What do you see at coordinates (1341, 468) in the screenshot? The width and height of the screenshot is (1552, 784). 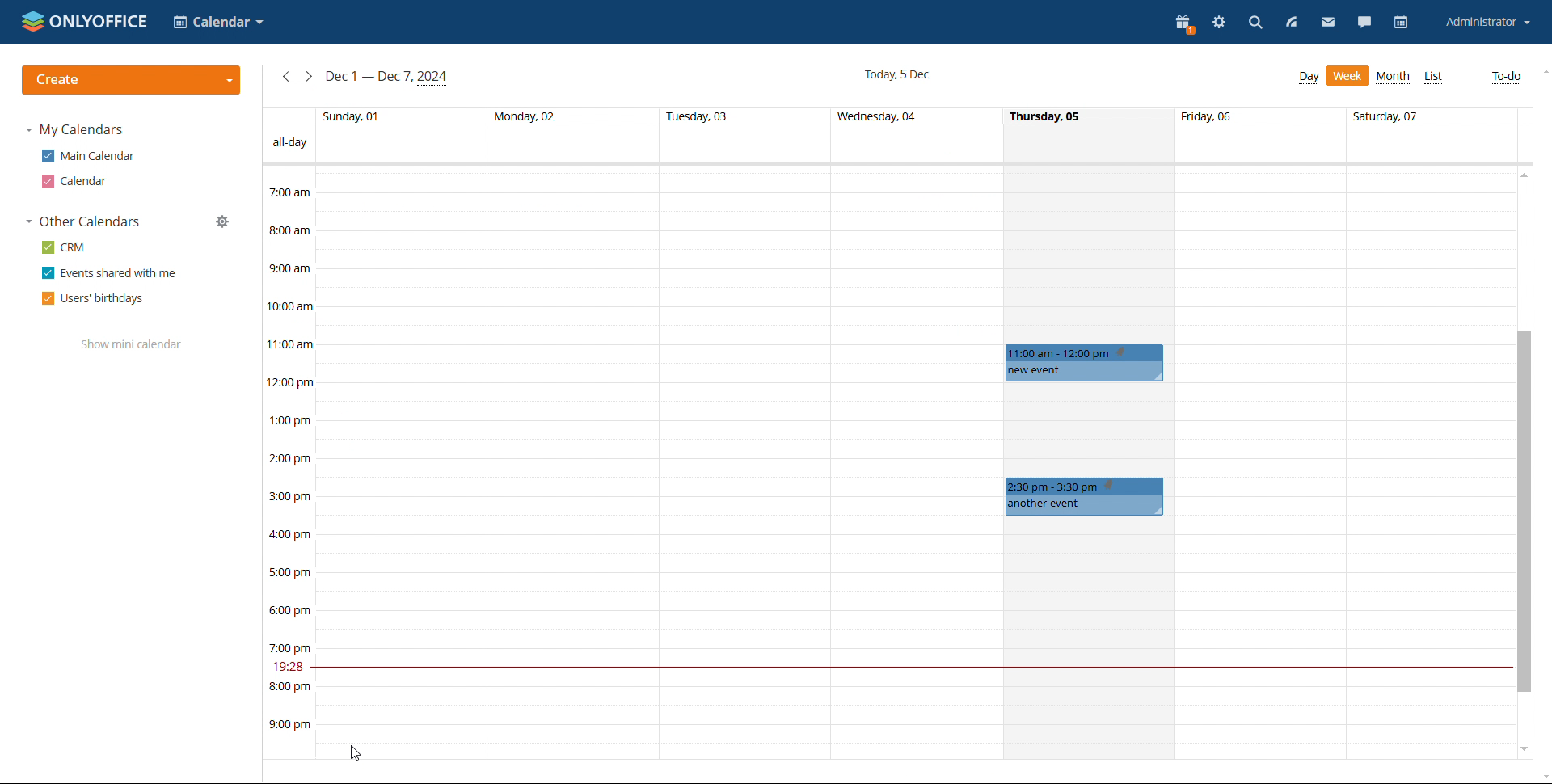 I see `boxes` at bounding box center [1341, 468].